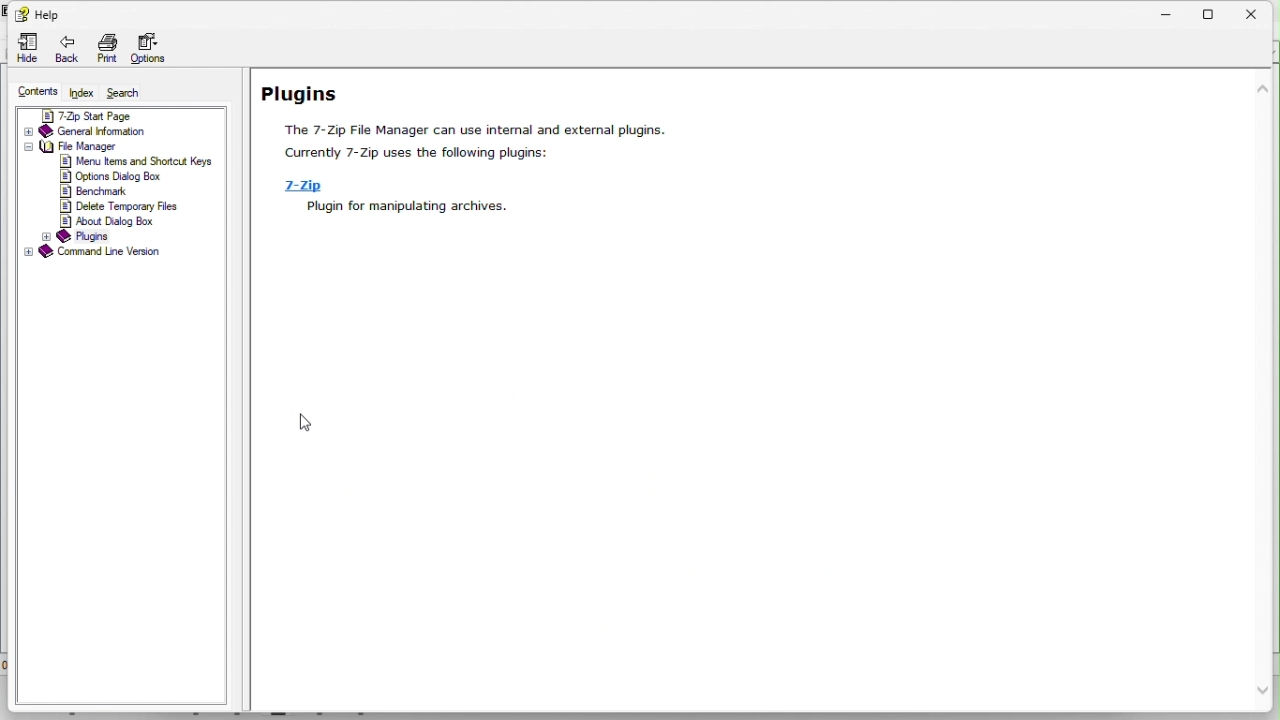  Describe the element at coordinates (306, 92) in the screenshot. I see `Plugins` at that location.